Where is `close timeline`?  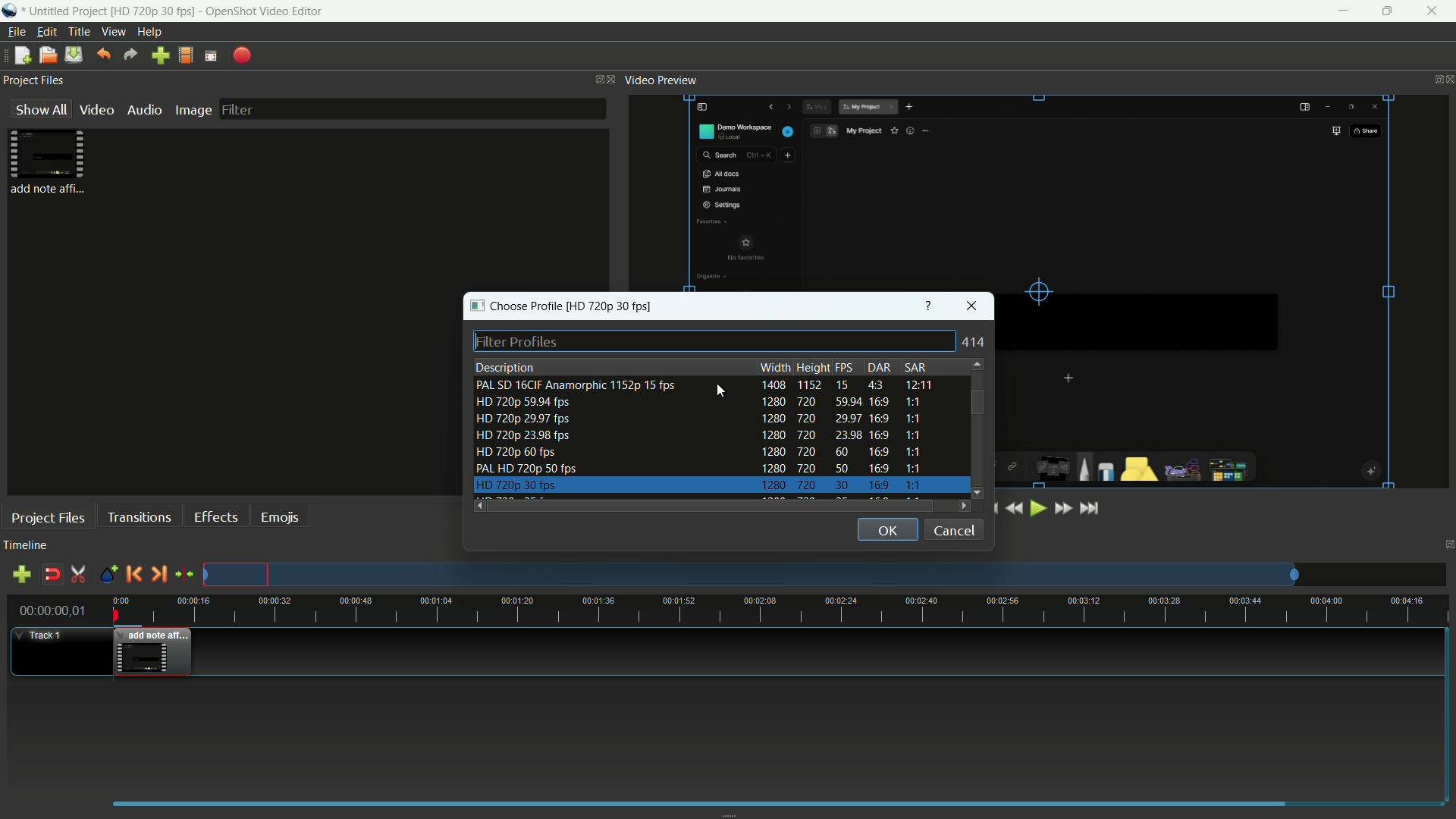
close timeline is located at coordinates (1447, 545).